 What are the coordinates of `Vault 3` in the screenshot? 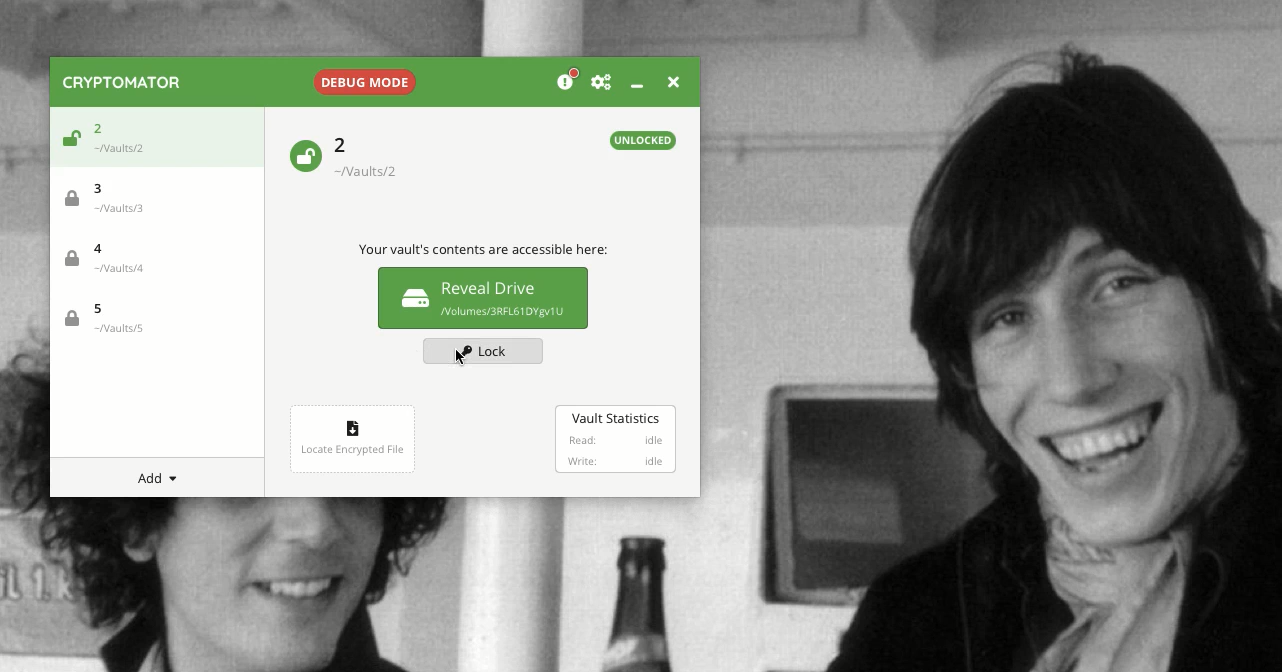 It's located at (114, 196).